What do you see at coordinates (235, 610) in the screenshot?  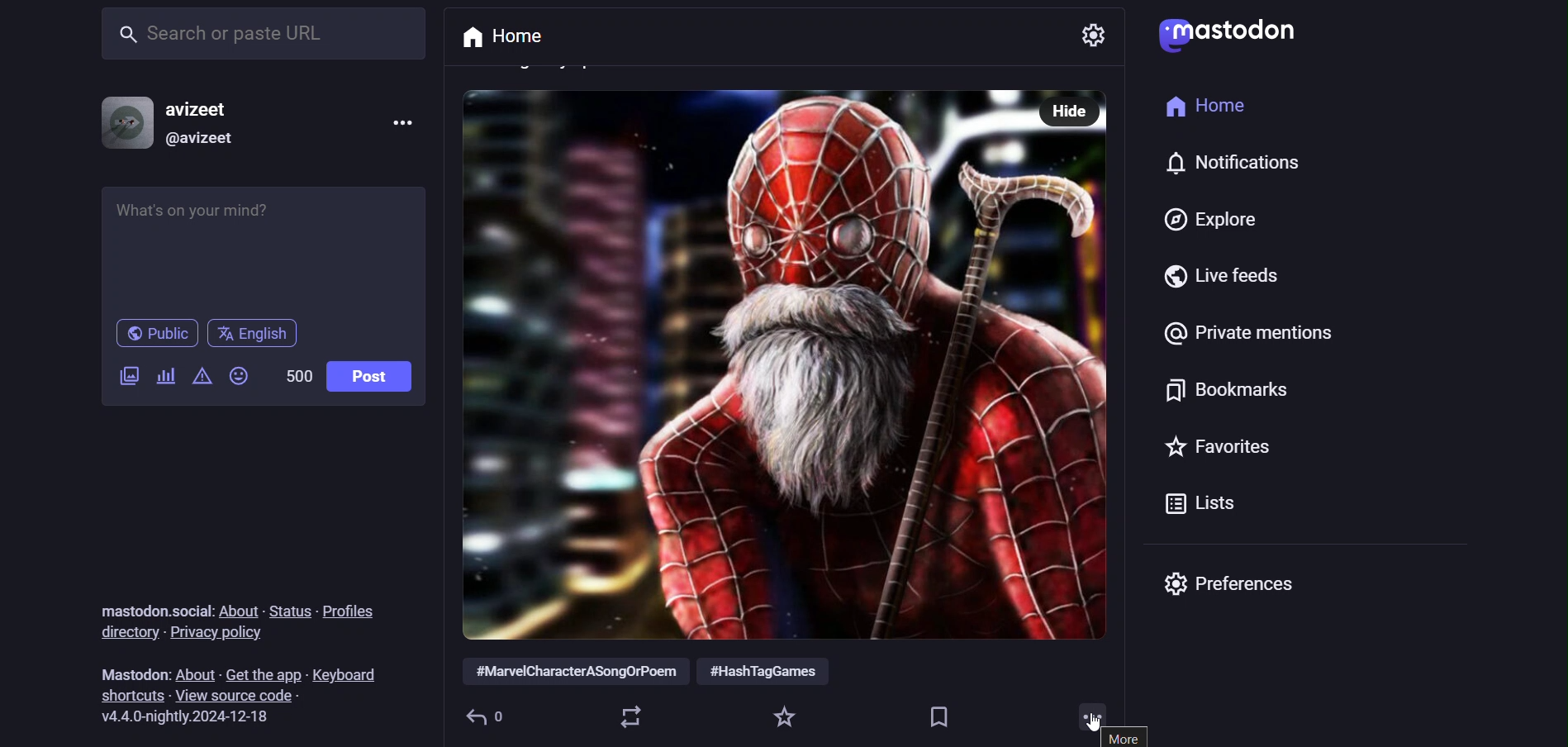 I see `about` at bounding box center [235, 610].